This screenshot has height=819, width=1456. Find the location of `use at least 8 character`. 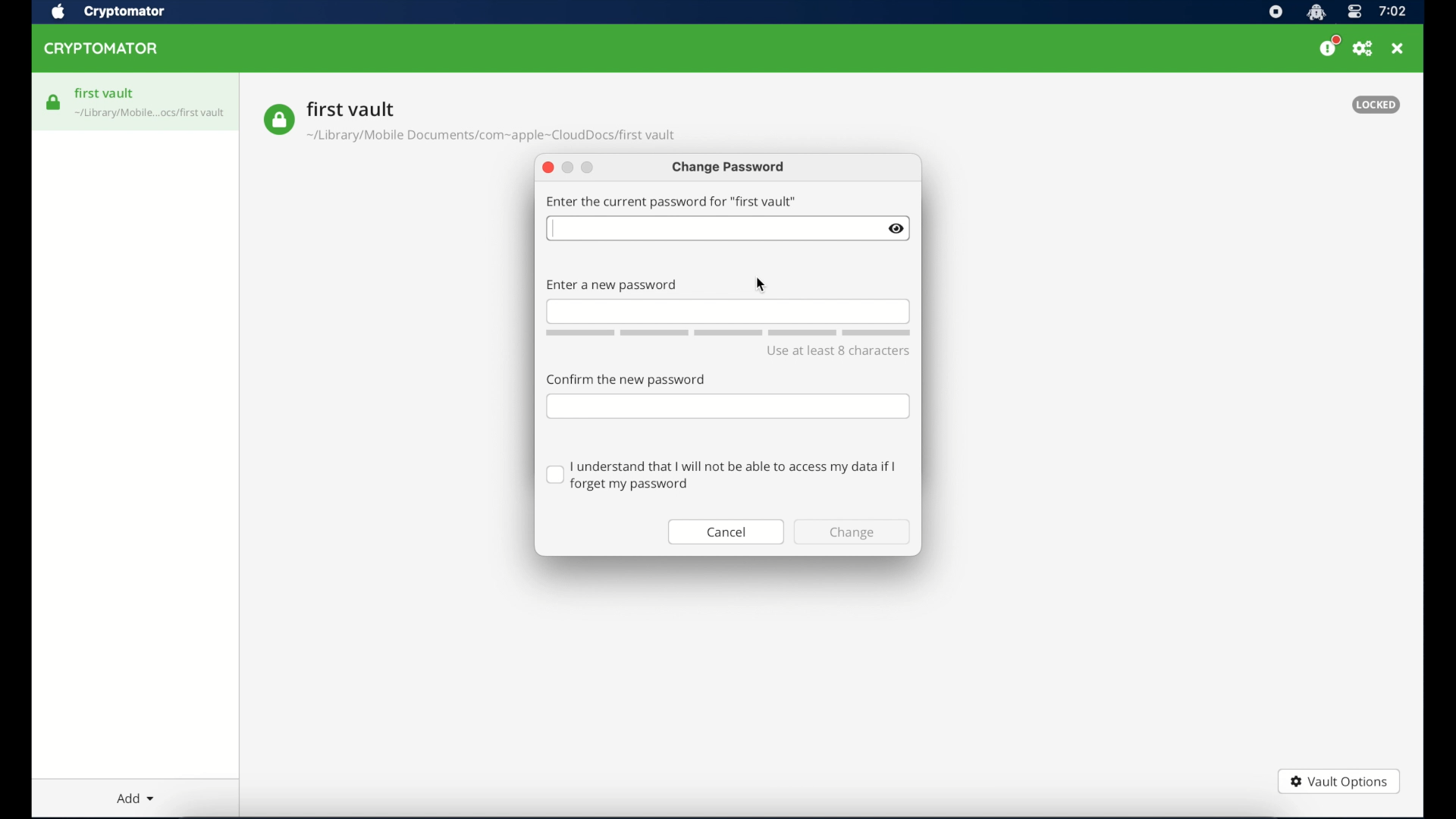

use at least 8 character is located at coordinates (838, 350).